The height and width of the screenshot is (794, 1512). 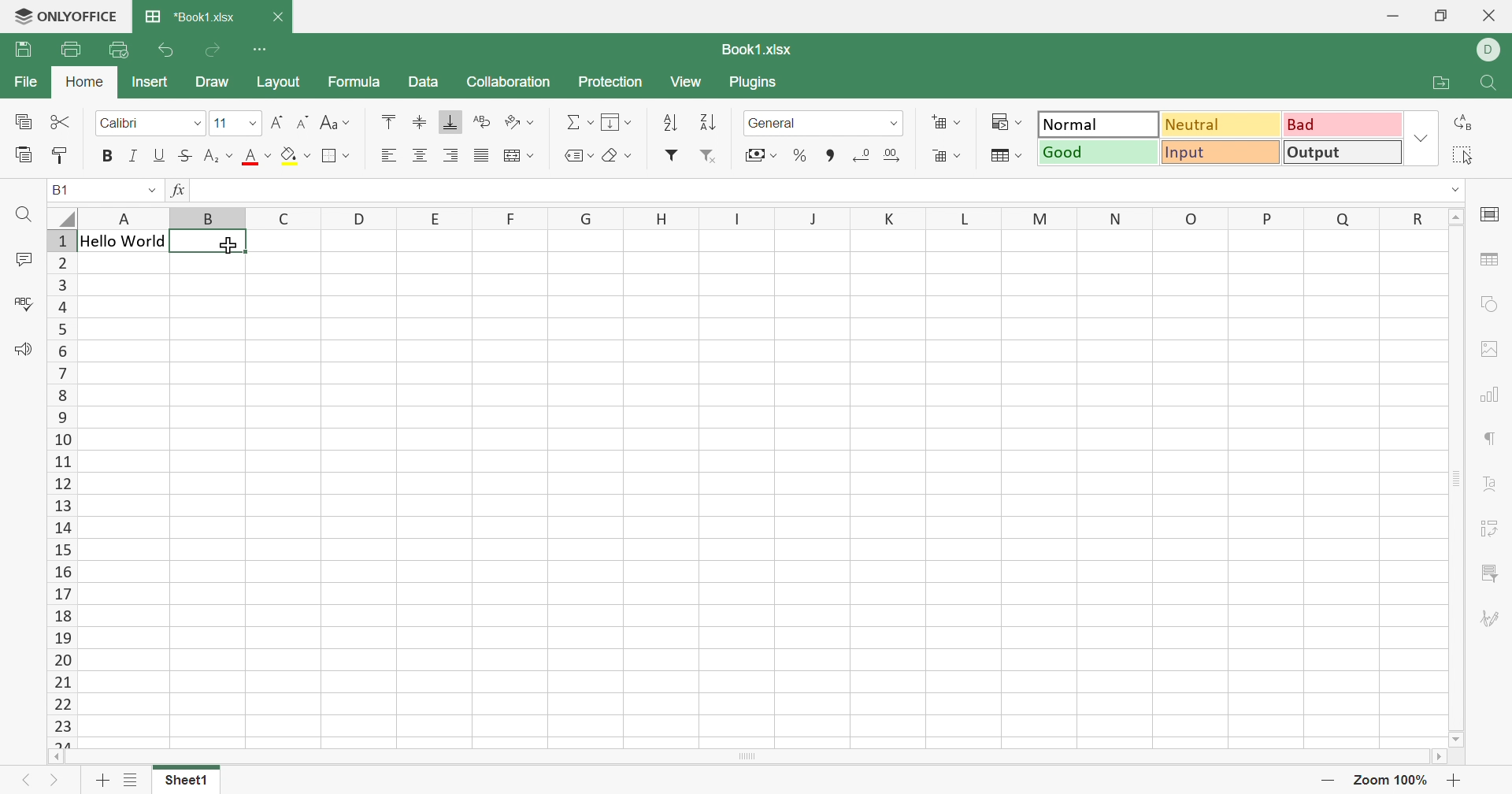 What do you see at coordinates (191, 17) in the screenshot?
I see `*Book1.xlsx` at bounding box center [191, 17].